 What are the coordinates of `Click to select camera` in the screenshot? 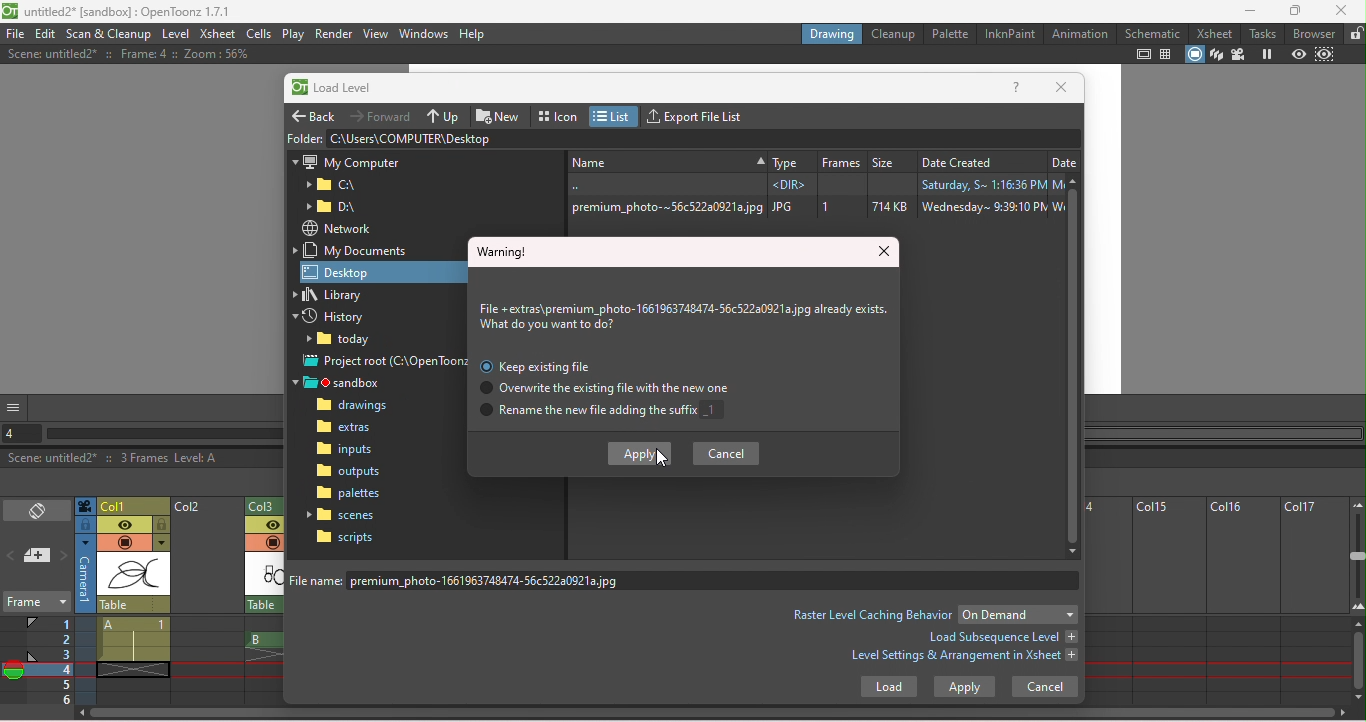 It's located at (86, 574).